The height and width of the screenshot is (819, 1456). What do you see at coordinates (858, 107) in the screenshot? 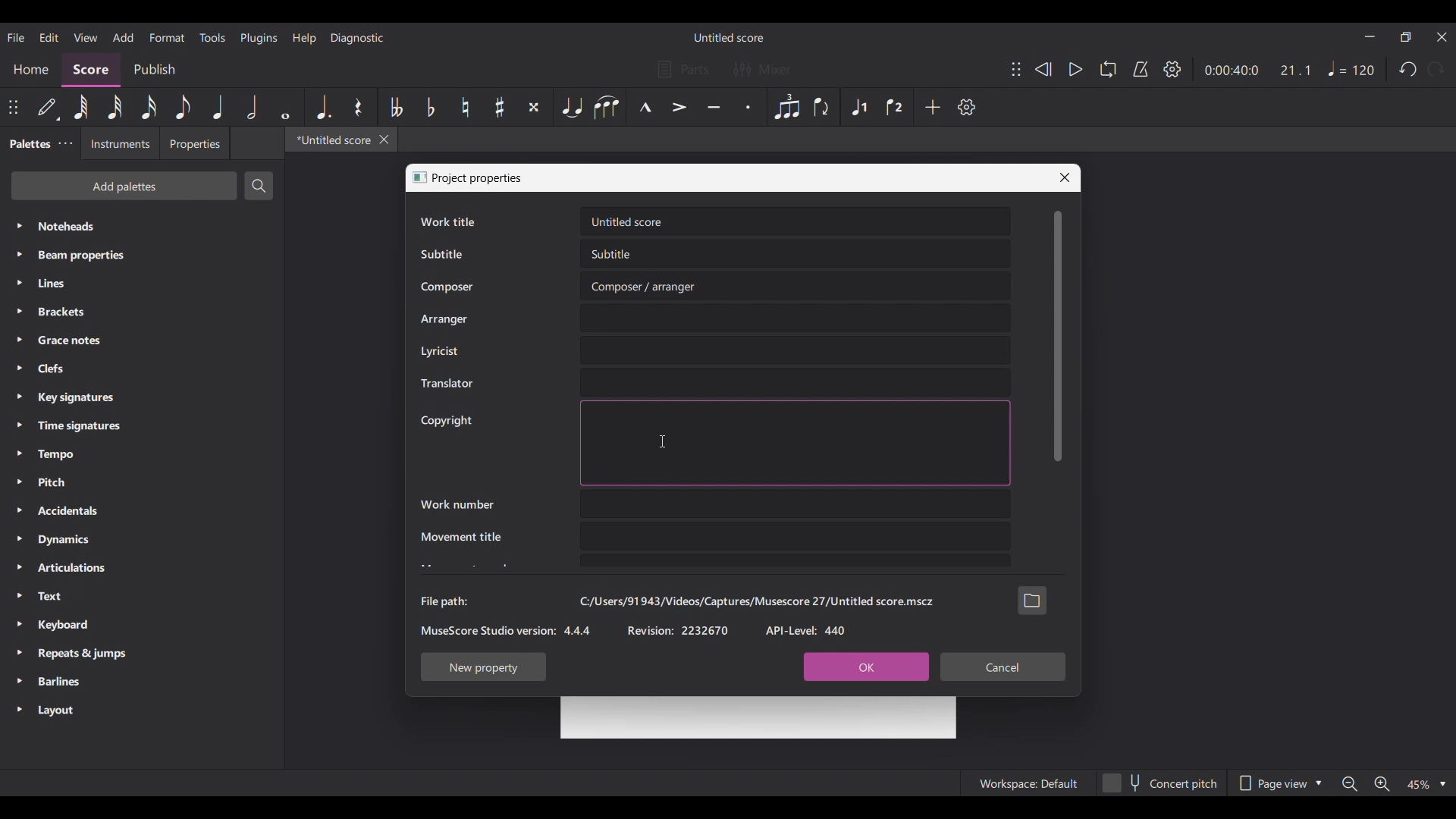
I see `Voice 1` at bounding box center [858, 107].